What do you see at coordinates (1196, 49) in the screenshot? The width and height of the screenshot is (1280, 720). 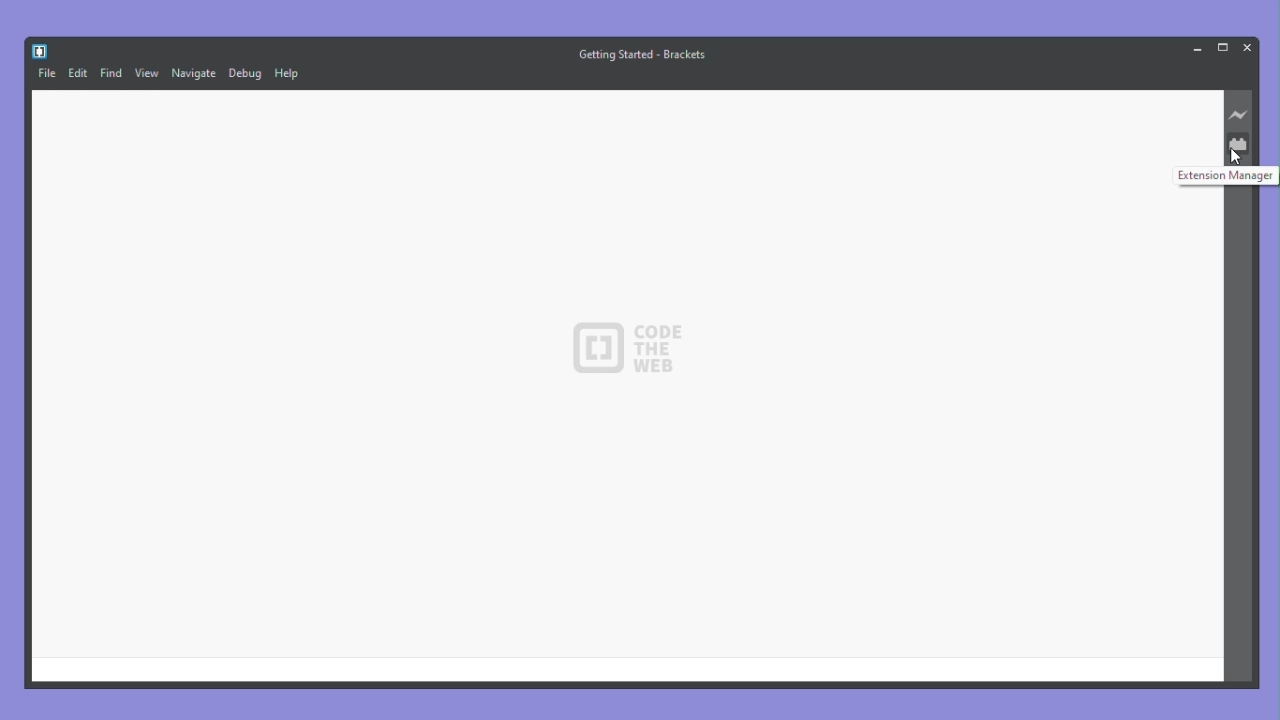 I see `Minimise` at bounding box center [1196, 49].